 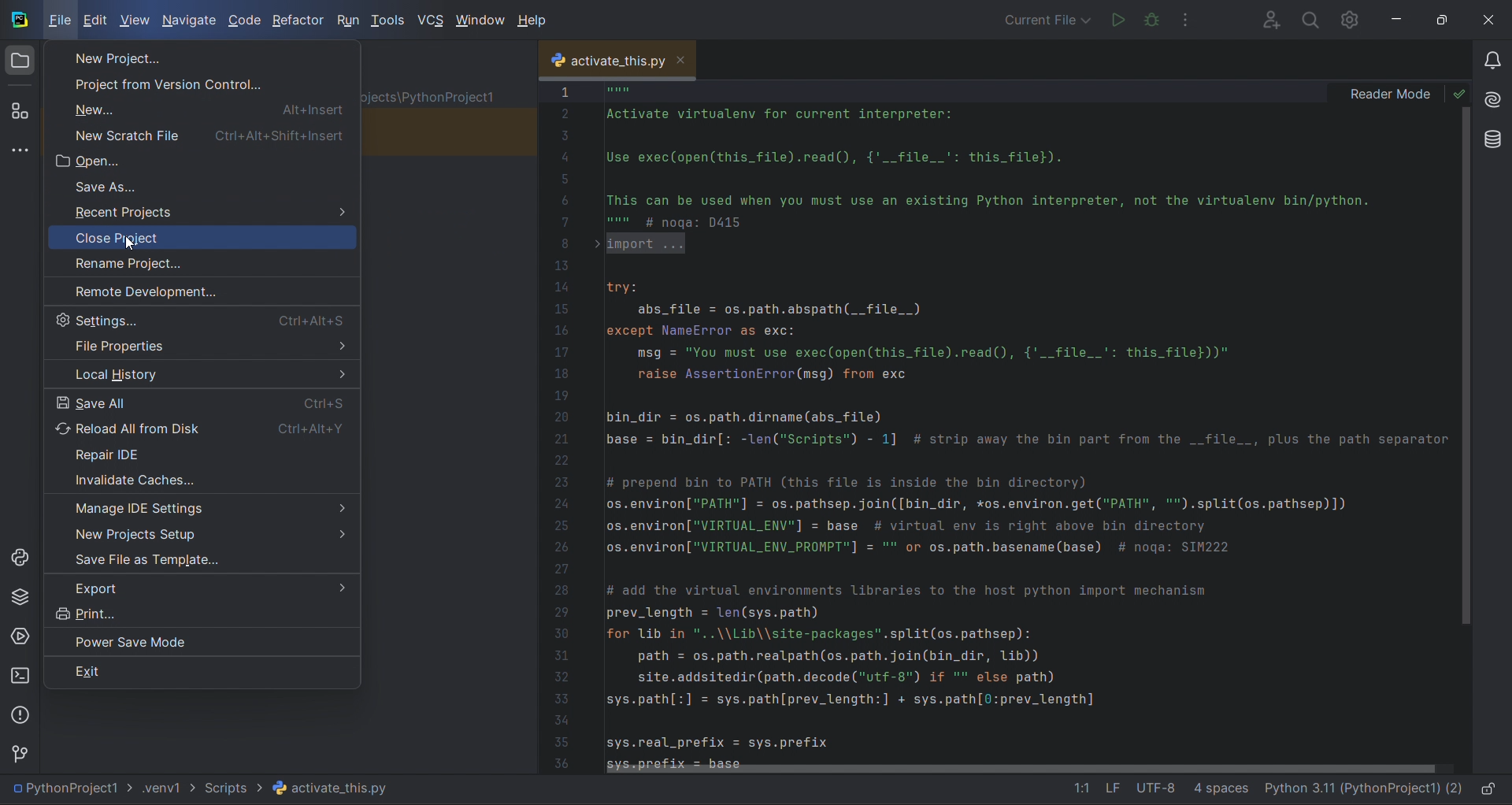 I want to click on crusor, so click(x=128, y=244).